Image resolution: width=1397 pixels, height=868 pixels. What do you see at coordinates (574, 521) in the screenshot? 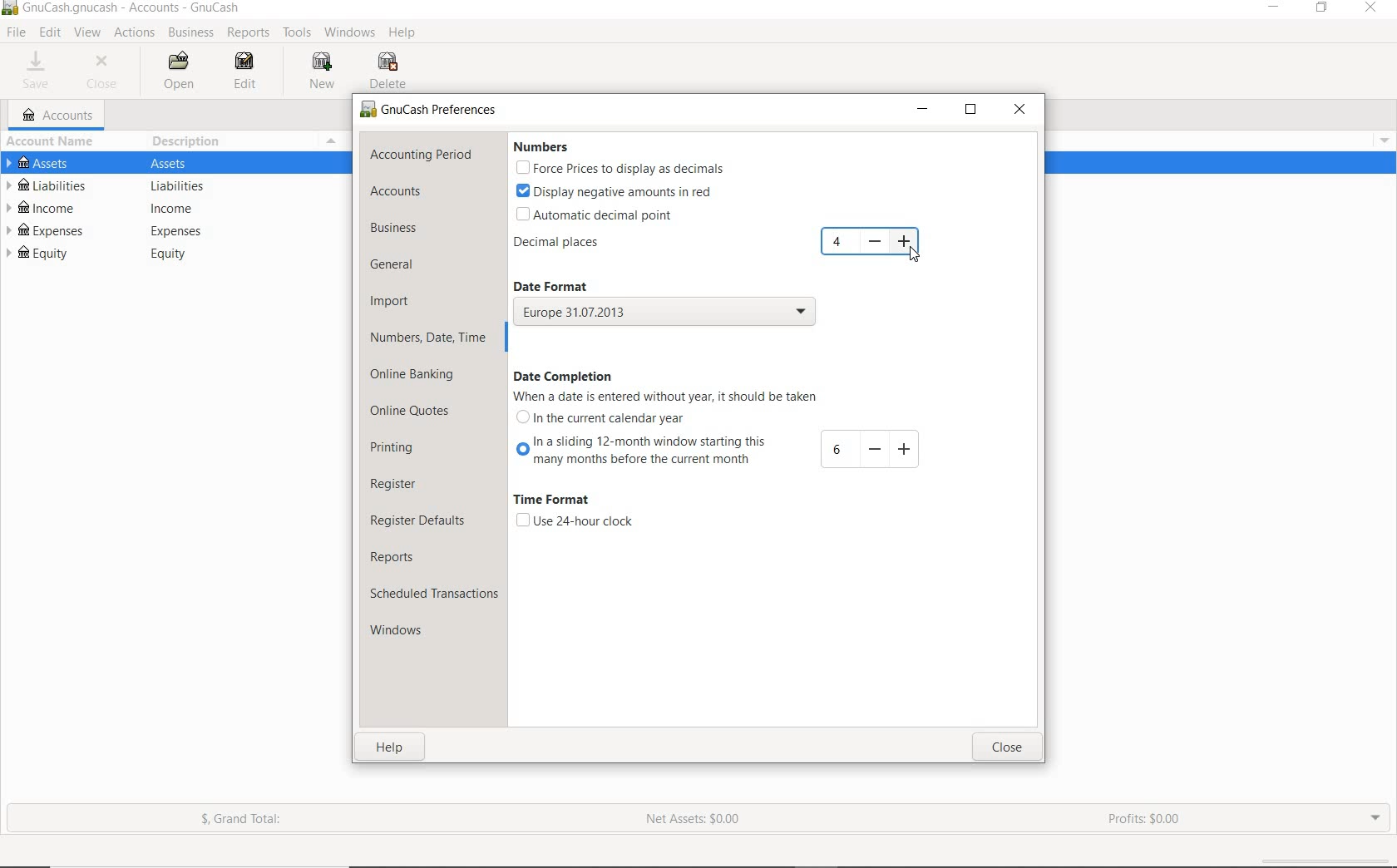
I see `24-hour clock` at bounding box center [574, 521].